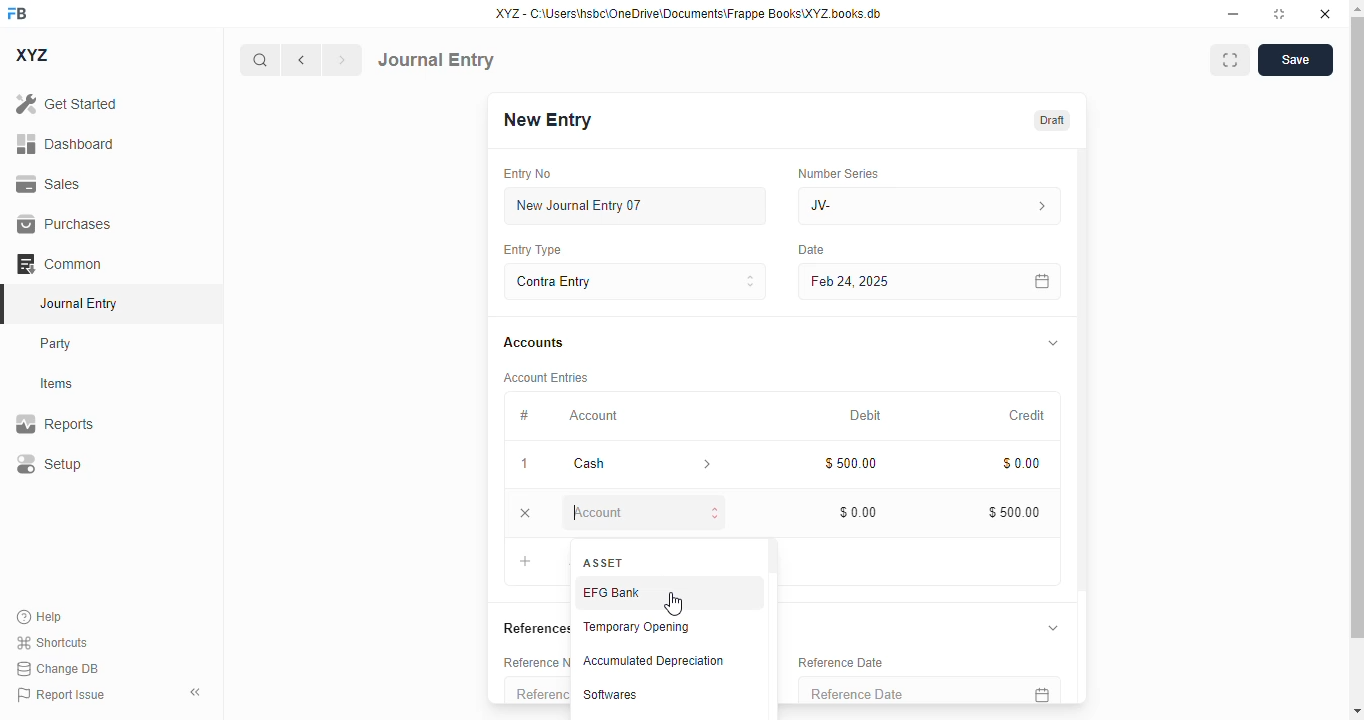  Describe the element at coordinates (1357, 9) in the screenshot. I see `scroll up` at that location.